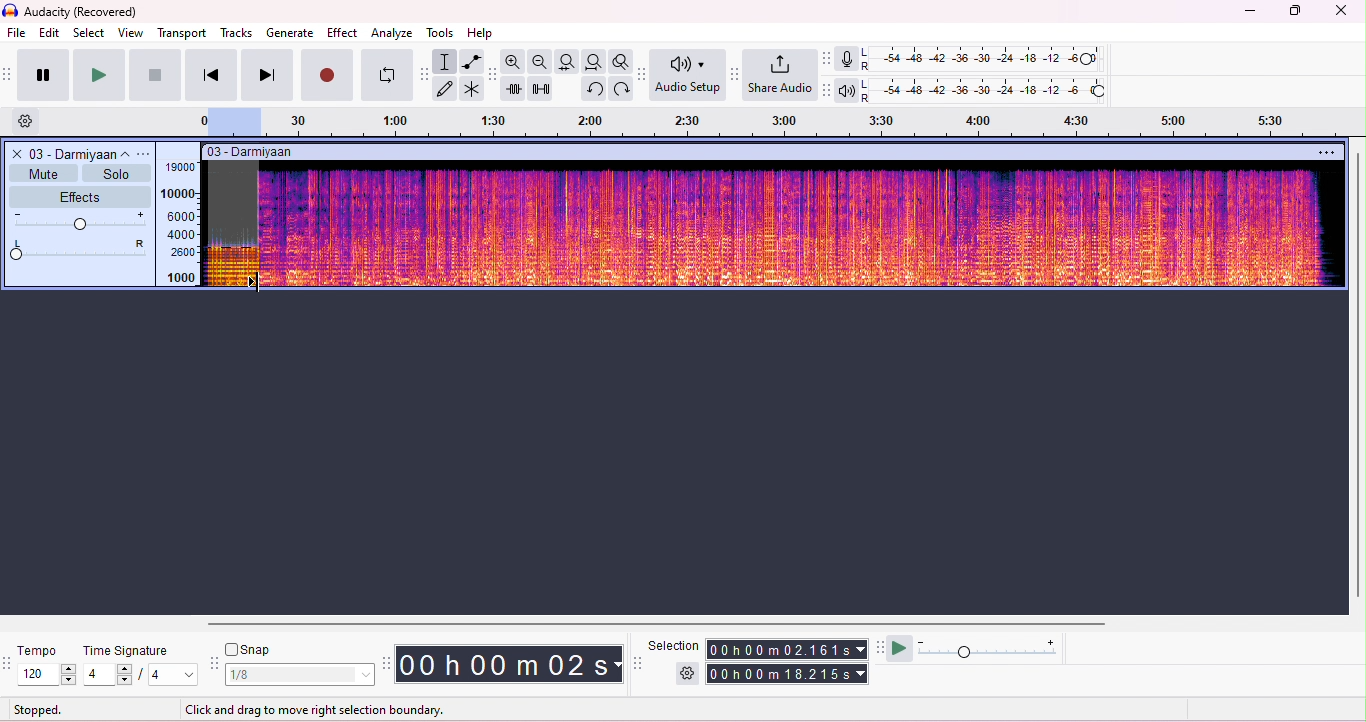 The image size is (1366, 722). What do you see at coordinates (384, 75) in the screenshot?
I see `looping` at bounding box center [384, 75].